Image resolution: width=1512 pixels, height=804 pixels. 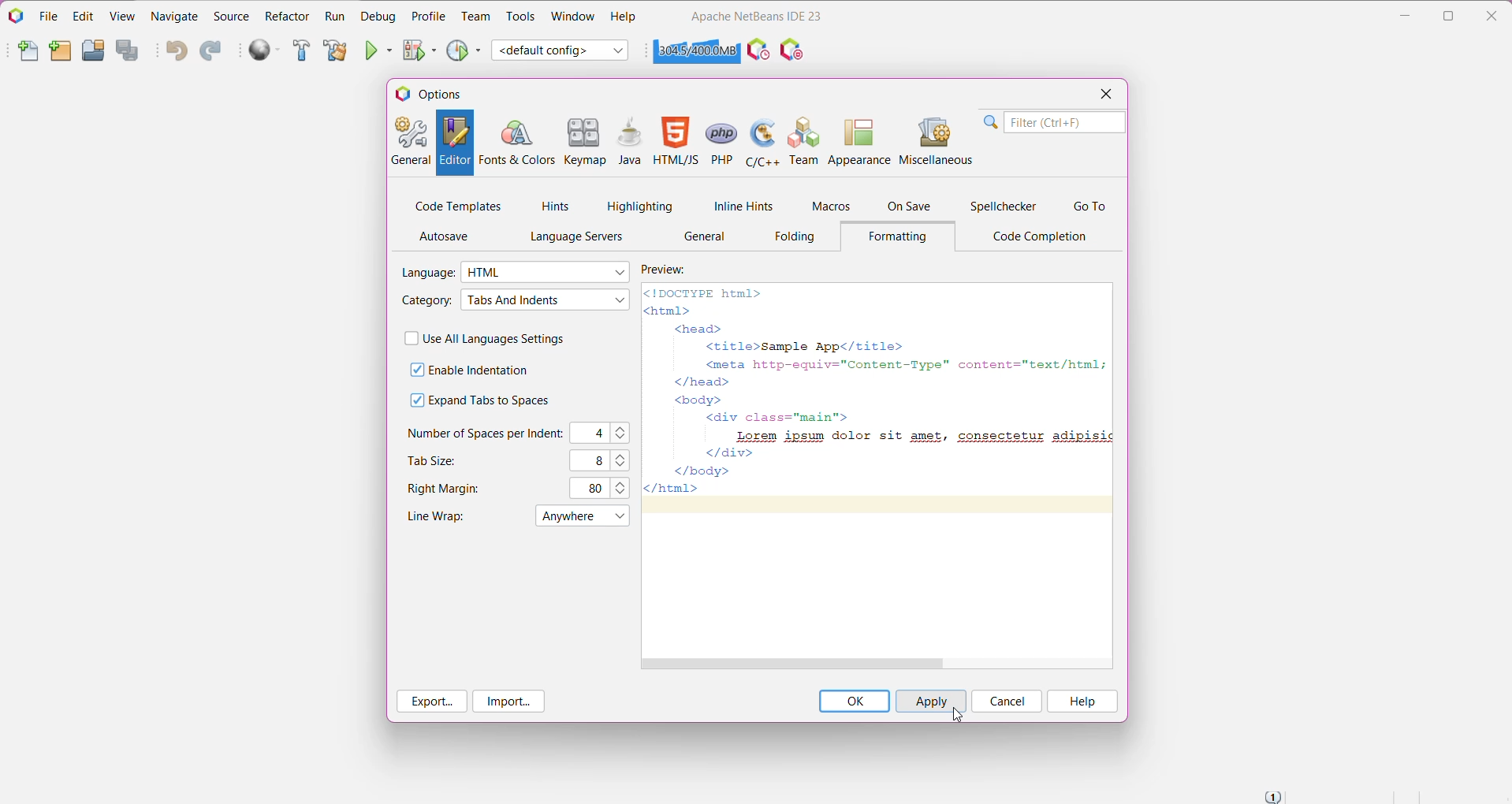 What do you see at coordinates (475, 17) in the screenshot?
I see `Team` at bounding box center [475, 17].